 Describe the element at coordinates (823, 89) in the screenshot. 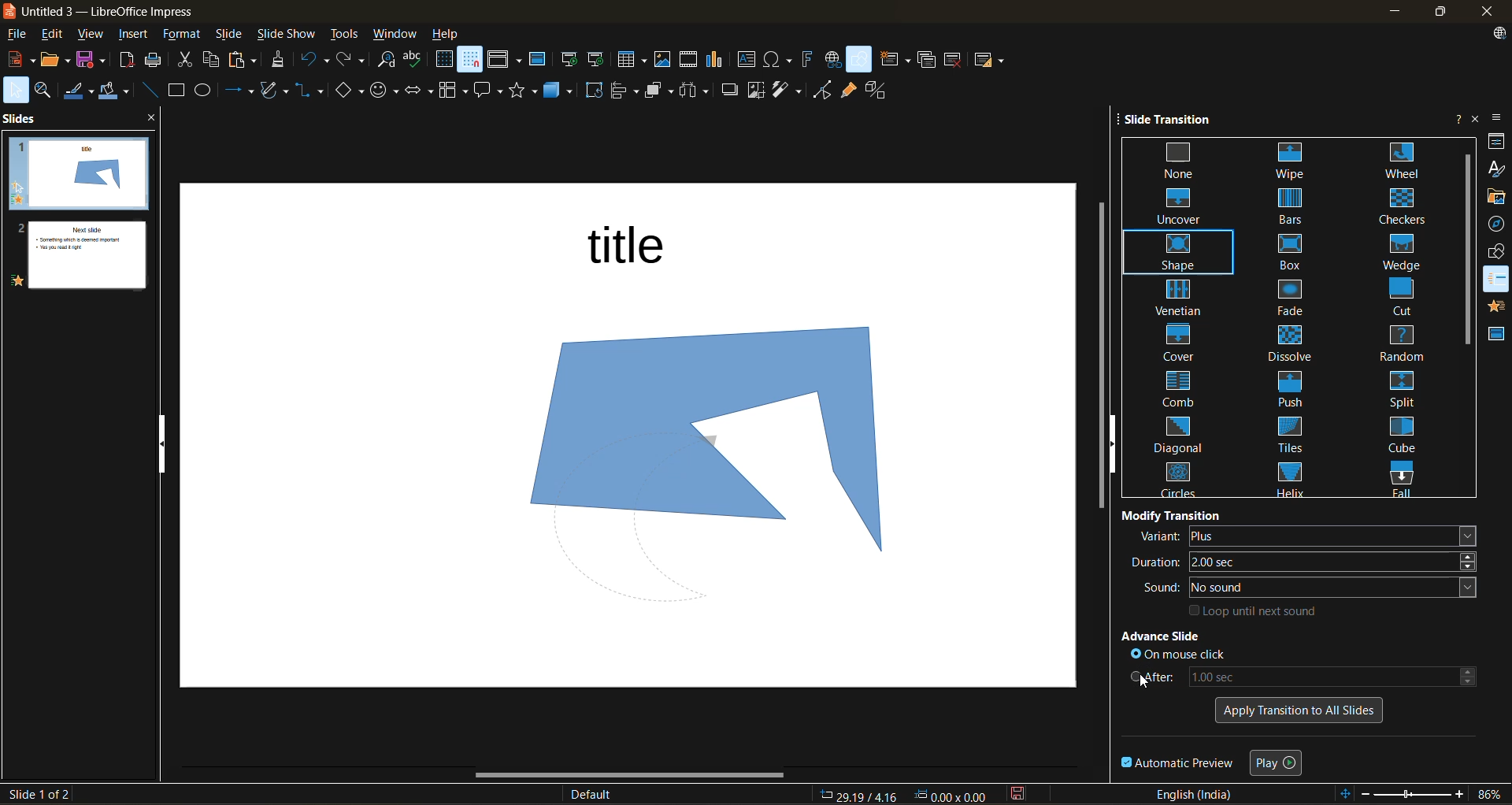

I see `toggle point edit mode` at that location.